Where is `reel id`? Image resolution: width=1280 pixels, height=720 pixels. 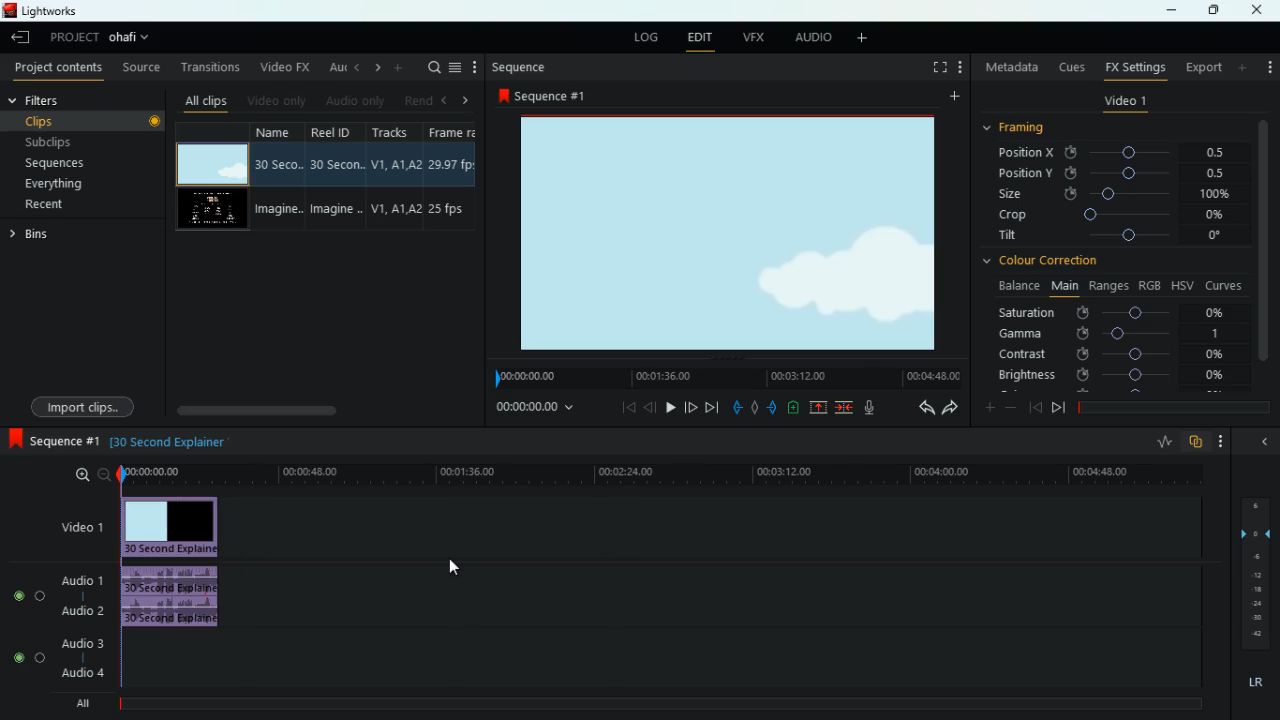 reel id is located at coordinates (337, 131).